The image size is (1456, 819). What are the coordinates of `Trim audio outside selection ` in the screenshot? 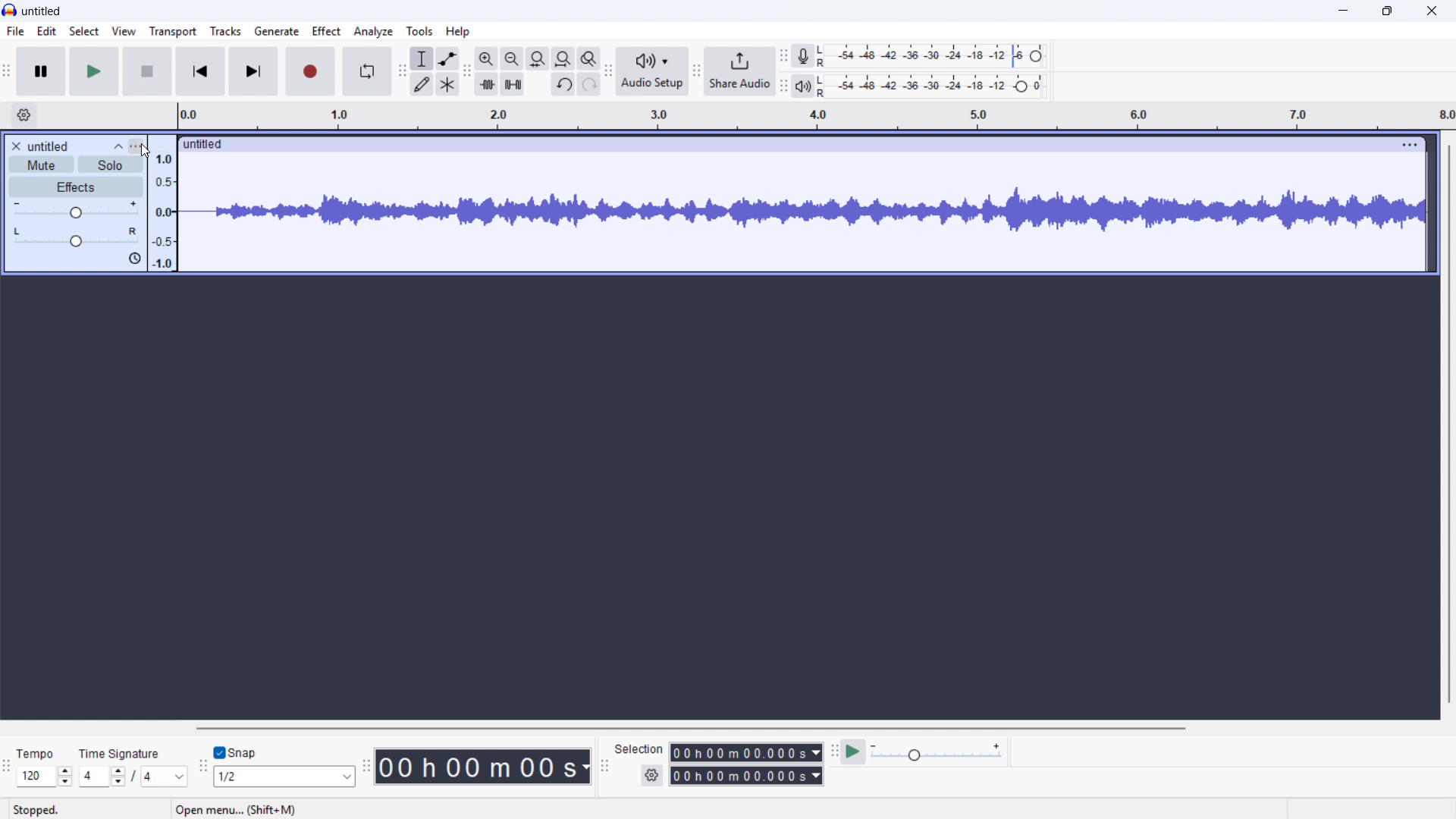 It's located at (487, 83).